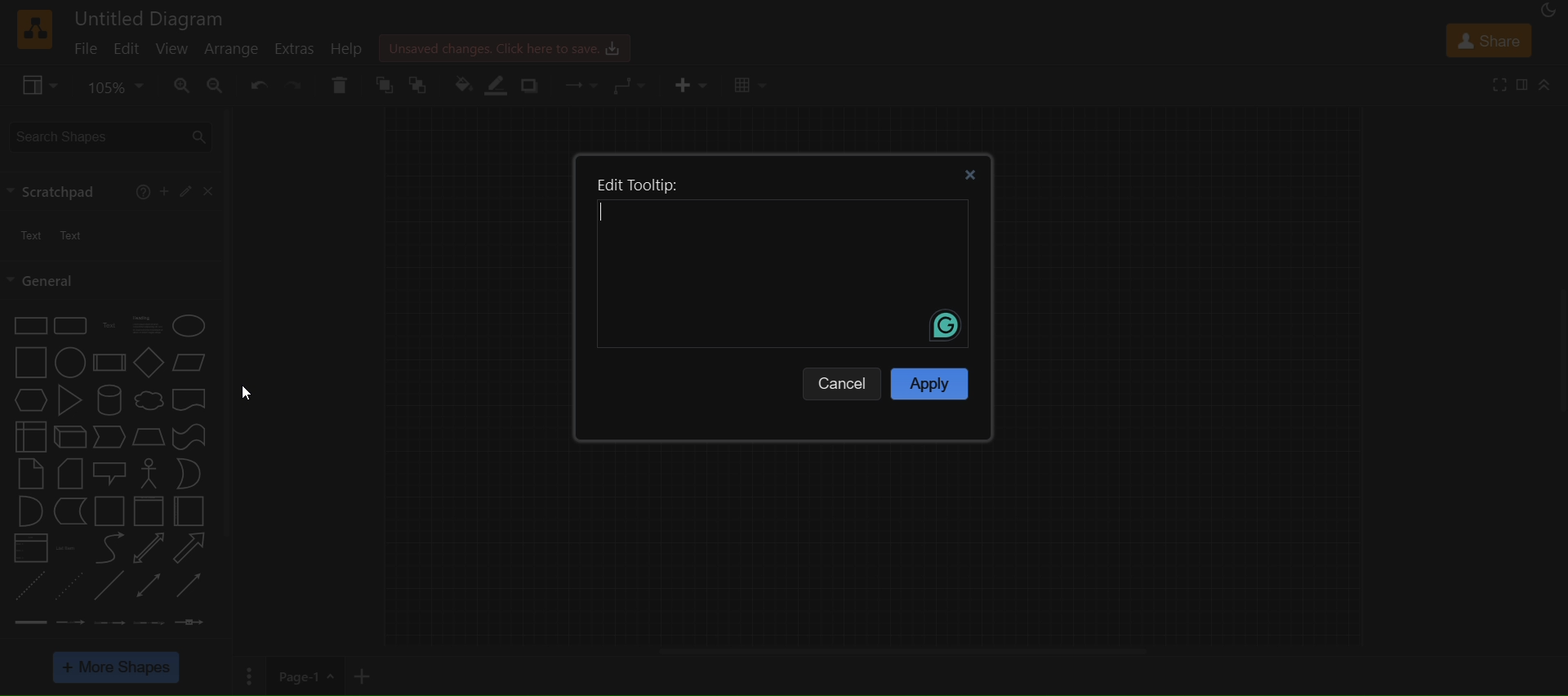  What do you see at coordinates (36, 83) in the screenshot?
I see `view` at bounding box center [36, 83].